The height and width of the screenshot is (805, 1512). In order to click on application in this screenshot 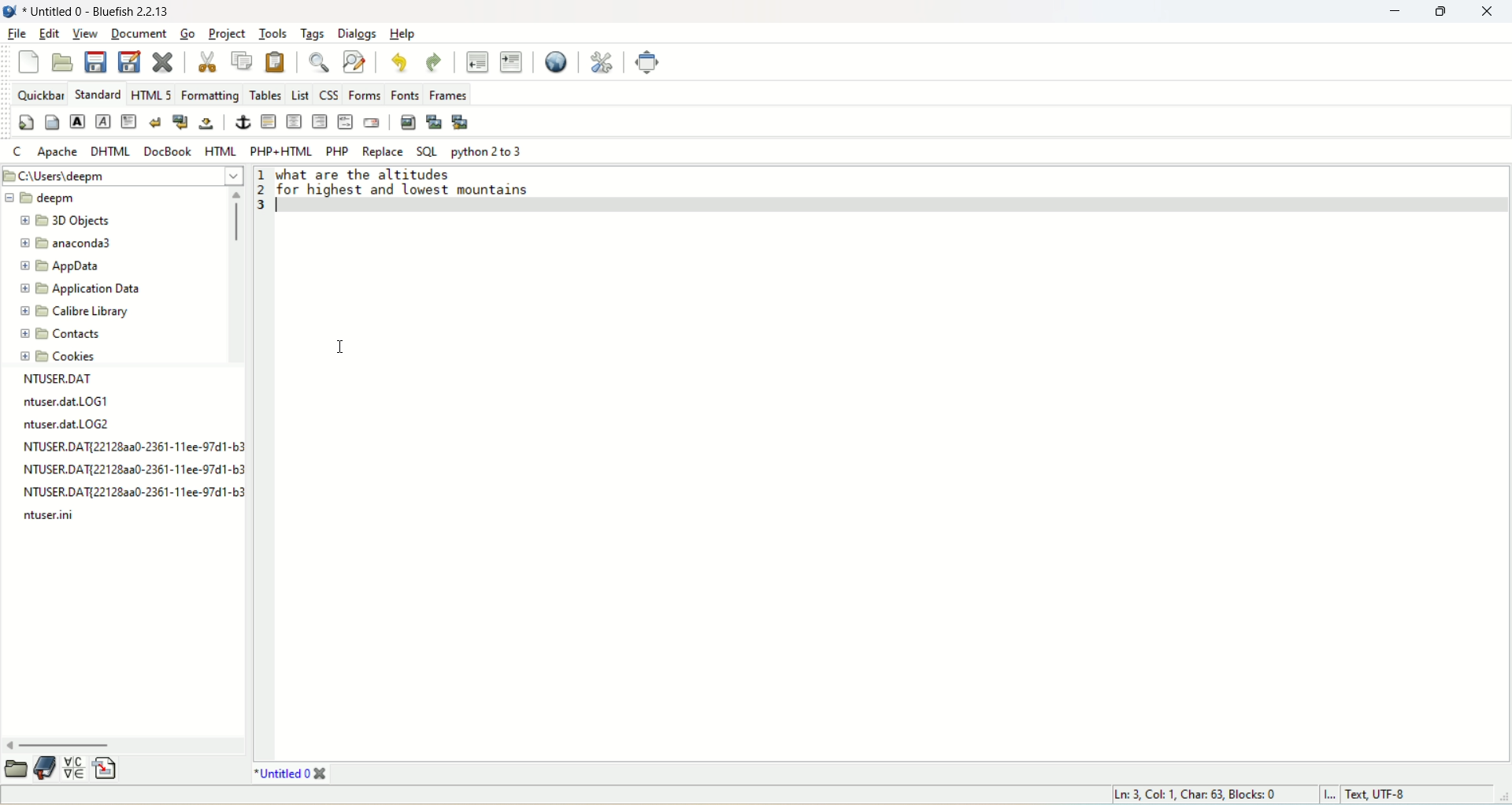, I will do `click(80, 290)`.